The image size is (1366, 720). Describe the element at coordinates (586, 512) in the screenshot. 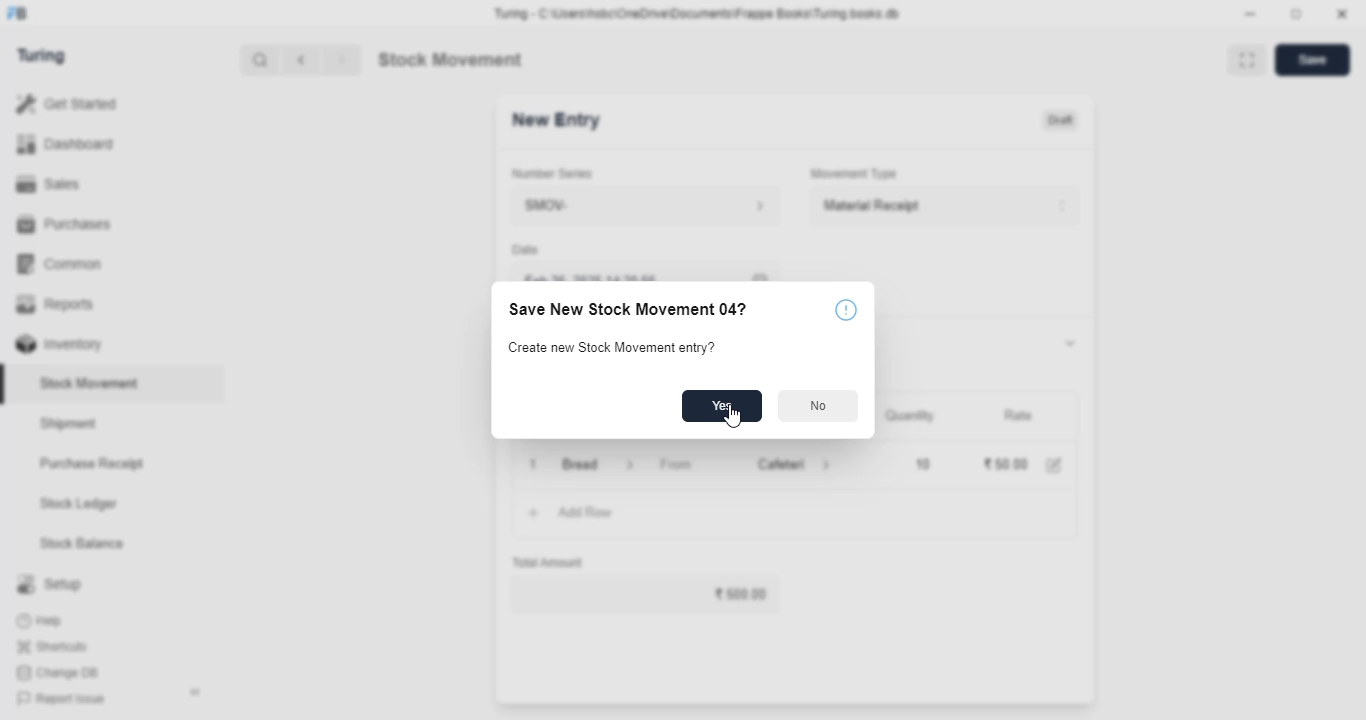

I see `add row` at that location.